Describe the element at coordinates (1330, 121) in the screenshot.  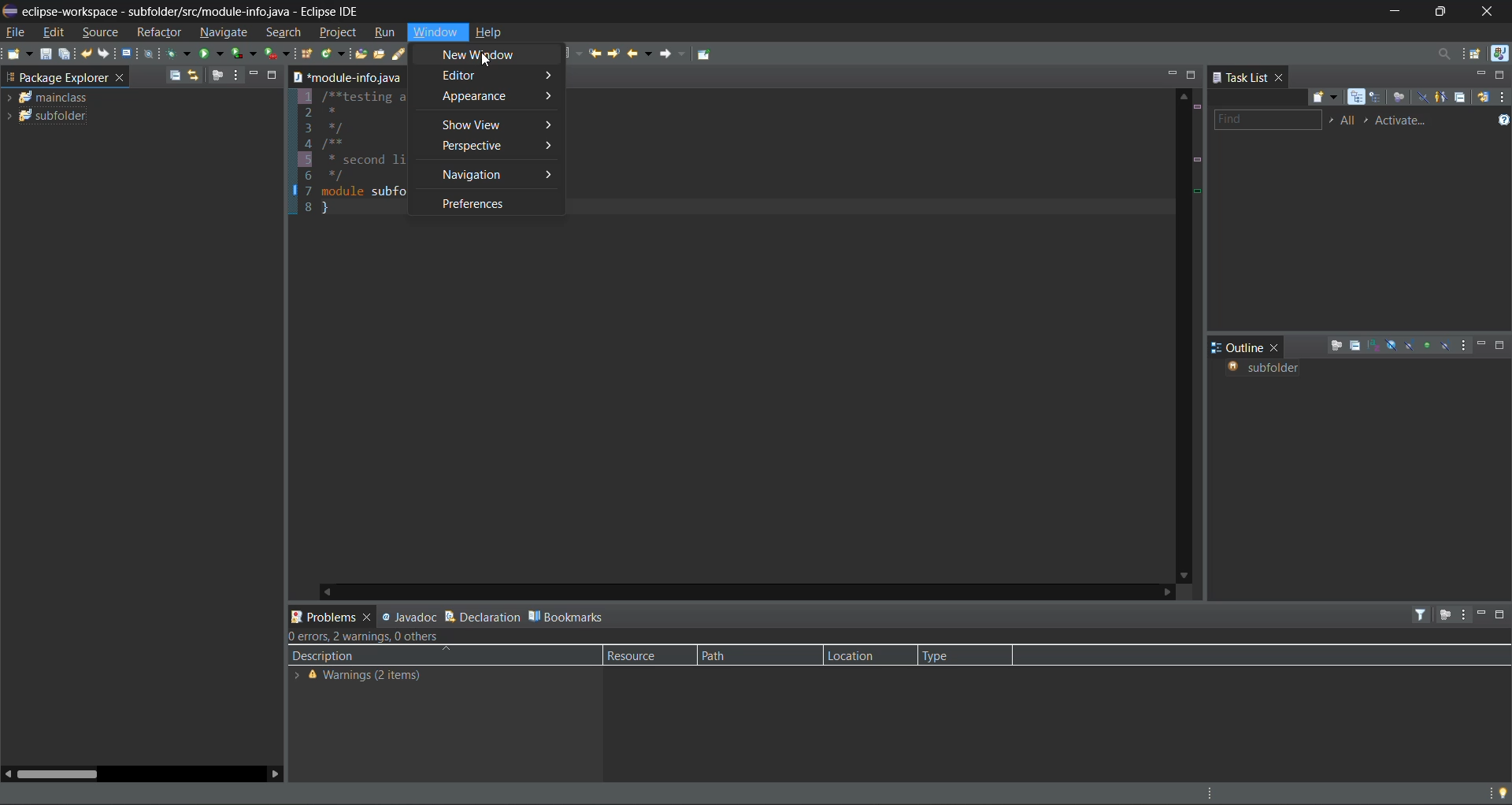
I see `select working set` at that location.